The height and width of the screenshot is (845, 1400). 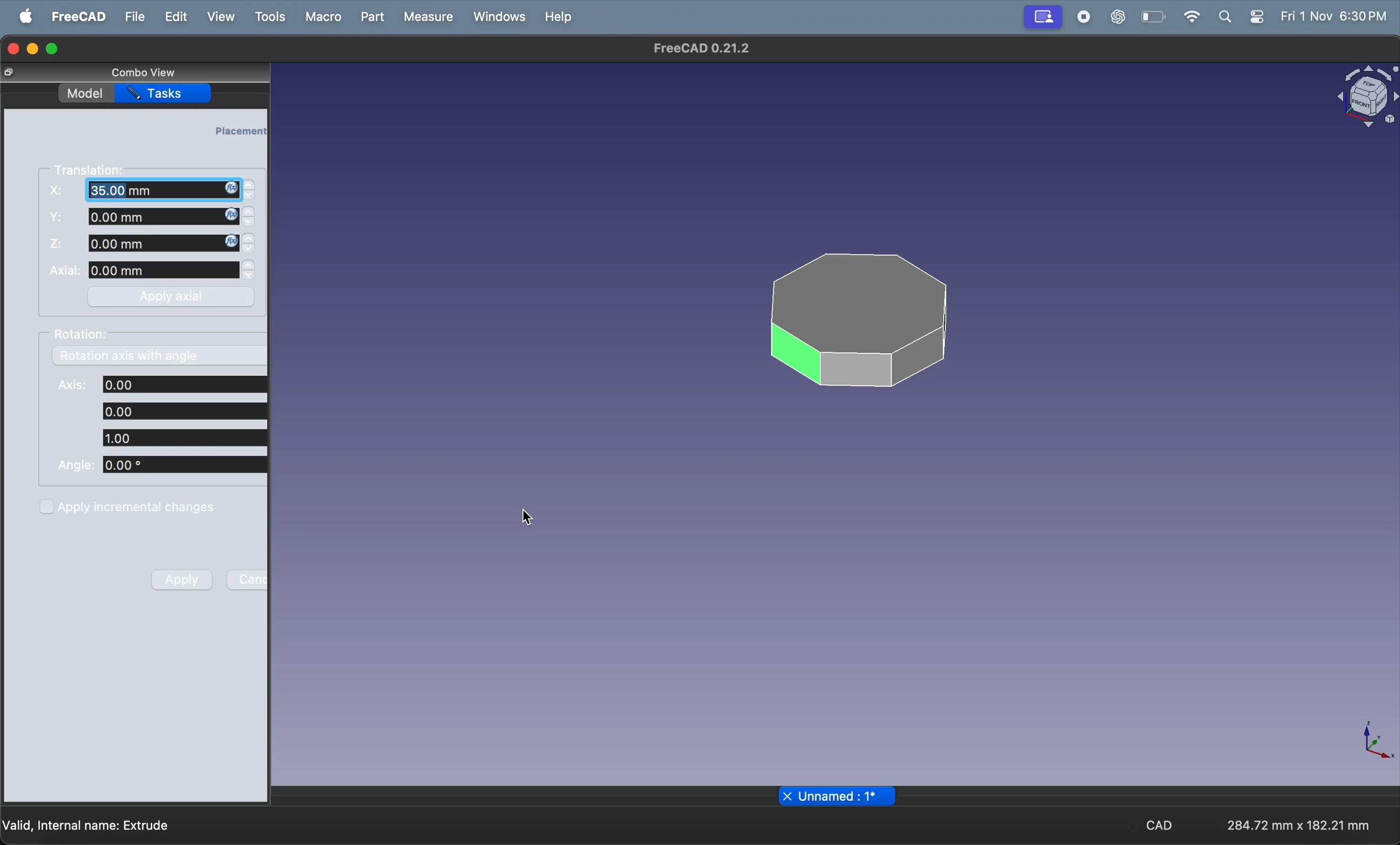 I want to click on 284.72 mm x 182.21 mm, so click(x=1294, y=823).